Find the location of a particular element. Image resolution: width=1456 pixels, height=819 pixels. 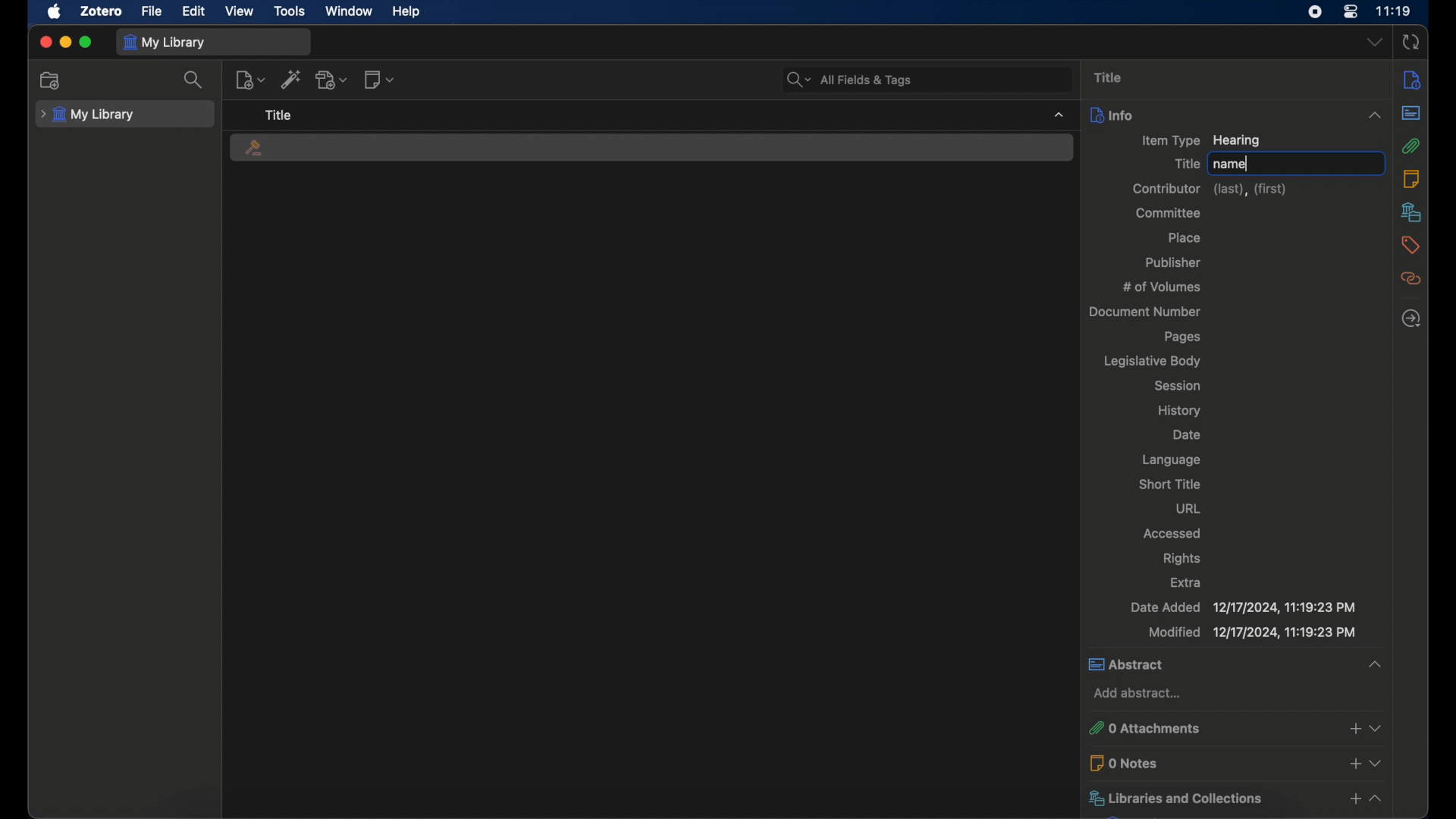

view is located at coordinates (238, 11).